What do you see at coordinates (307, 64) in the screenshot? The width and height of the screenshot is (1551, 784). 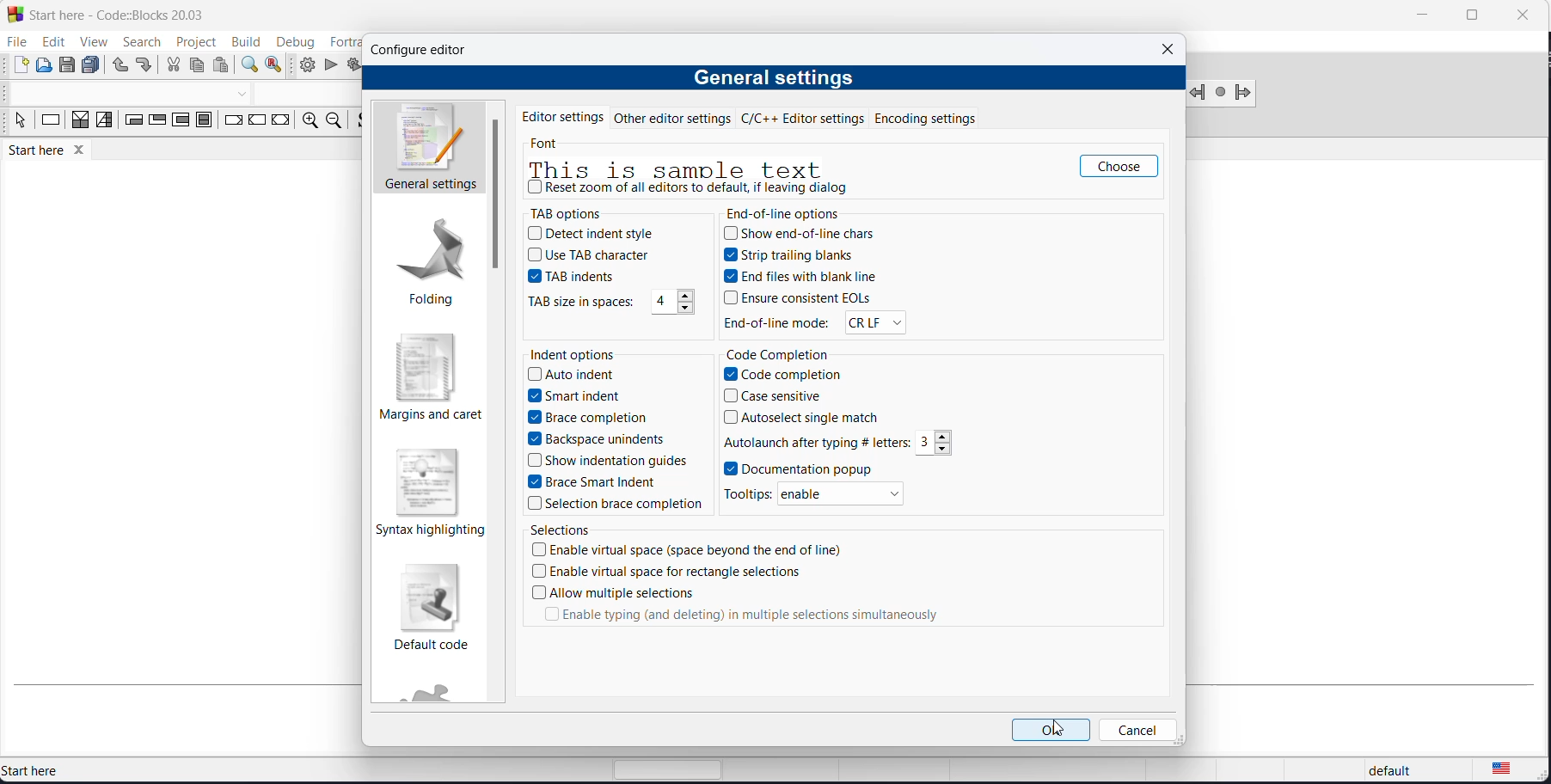 I see `build` at bounding box center [307, 64].